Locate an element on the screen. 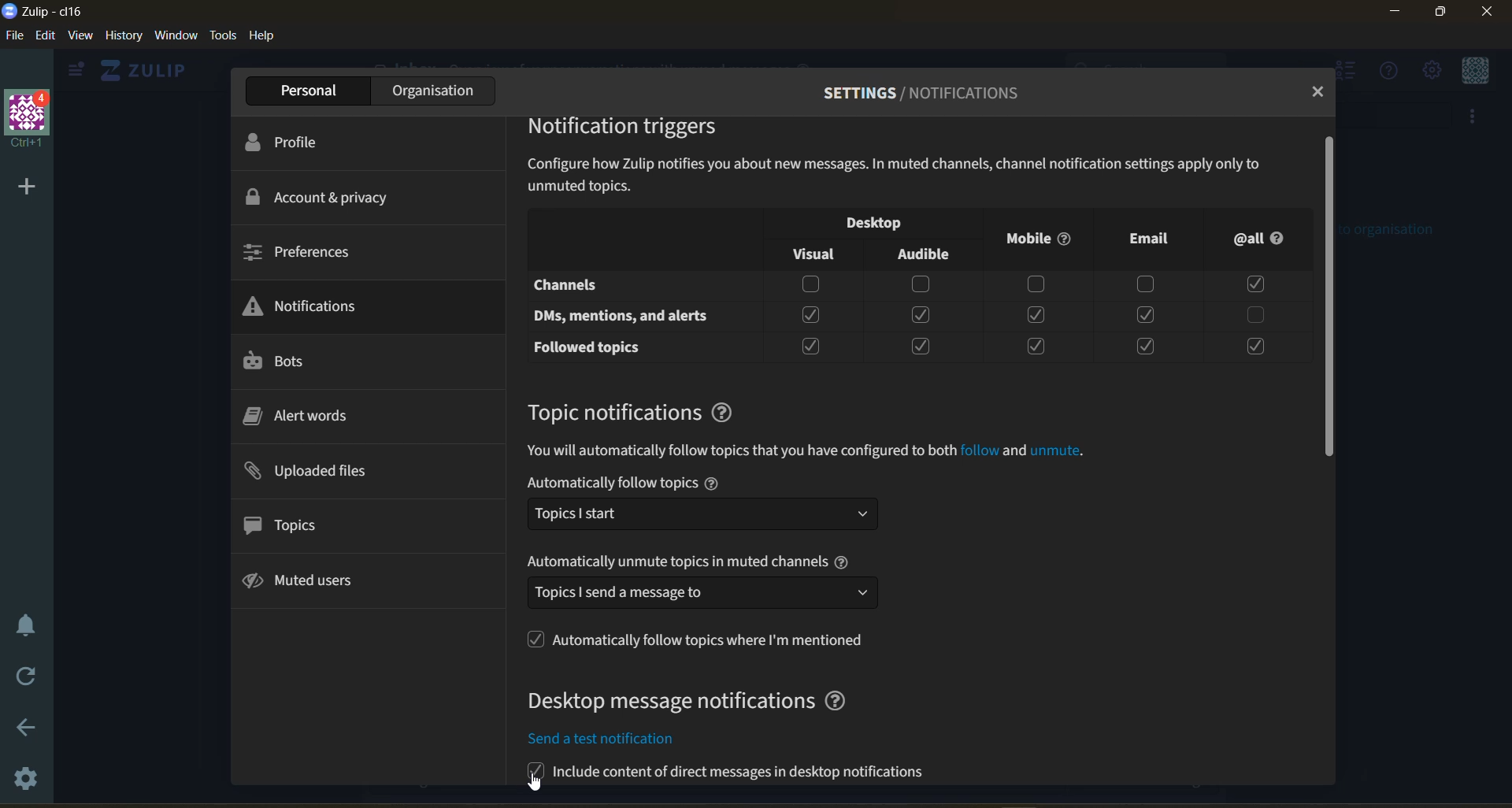 The width and height of the screenshot is (1512, 808). Checkbox is located at coordinates (1147, 345).